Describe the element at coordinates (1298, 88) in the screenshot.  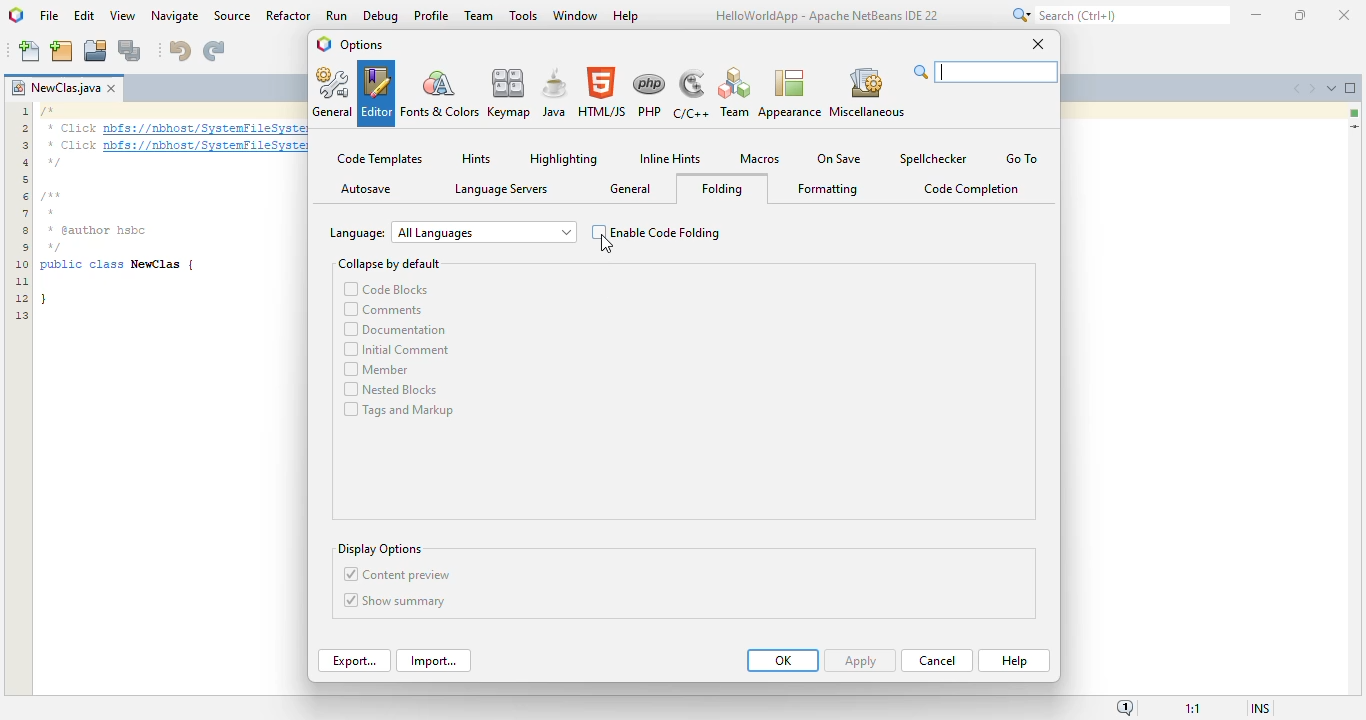
I see `scroll documents left` at that location.